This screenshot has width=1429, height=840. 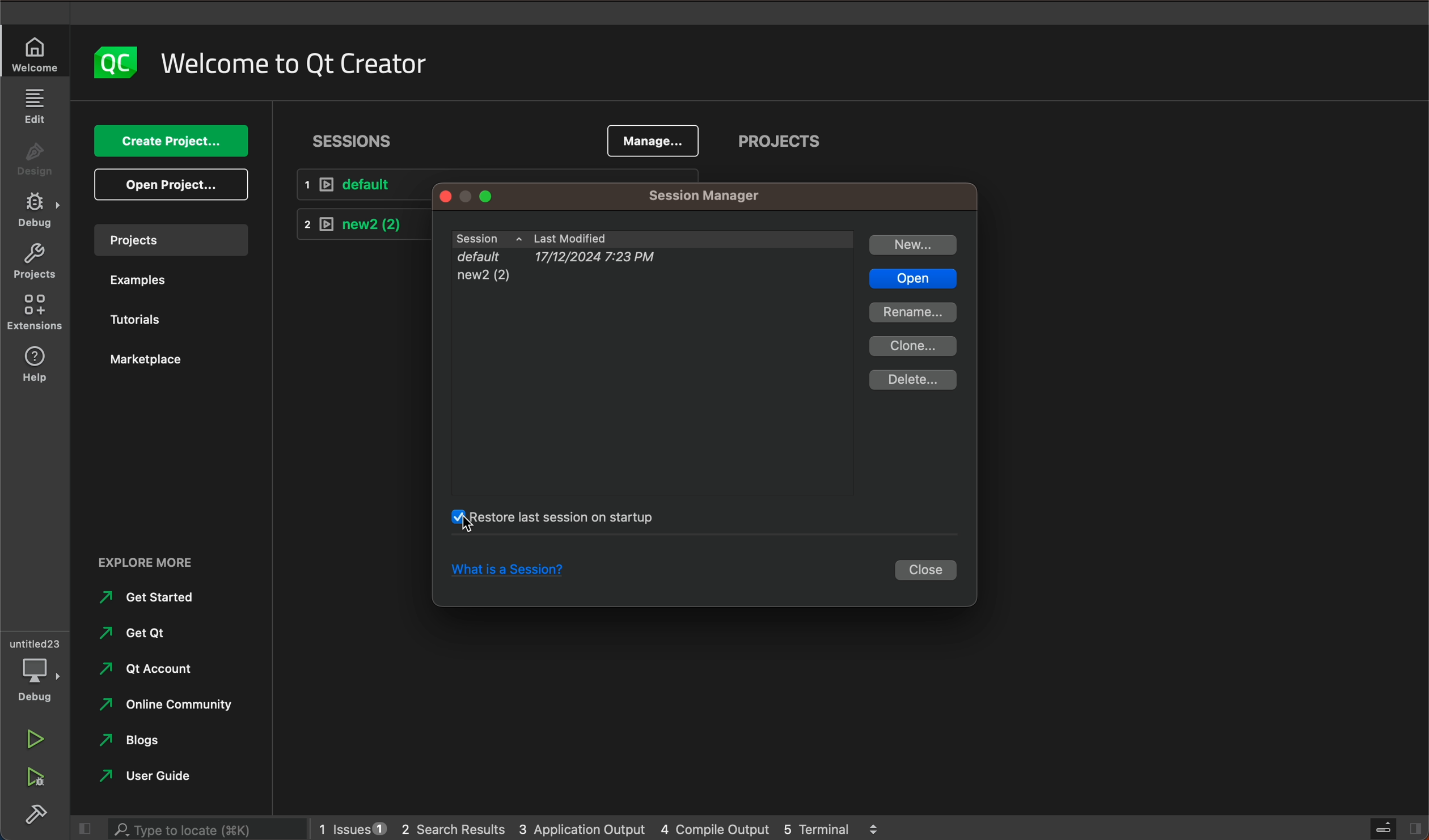 I want to click on projects, so click(x=37, y=261).